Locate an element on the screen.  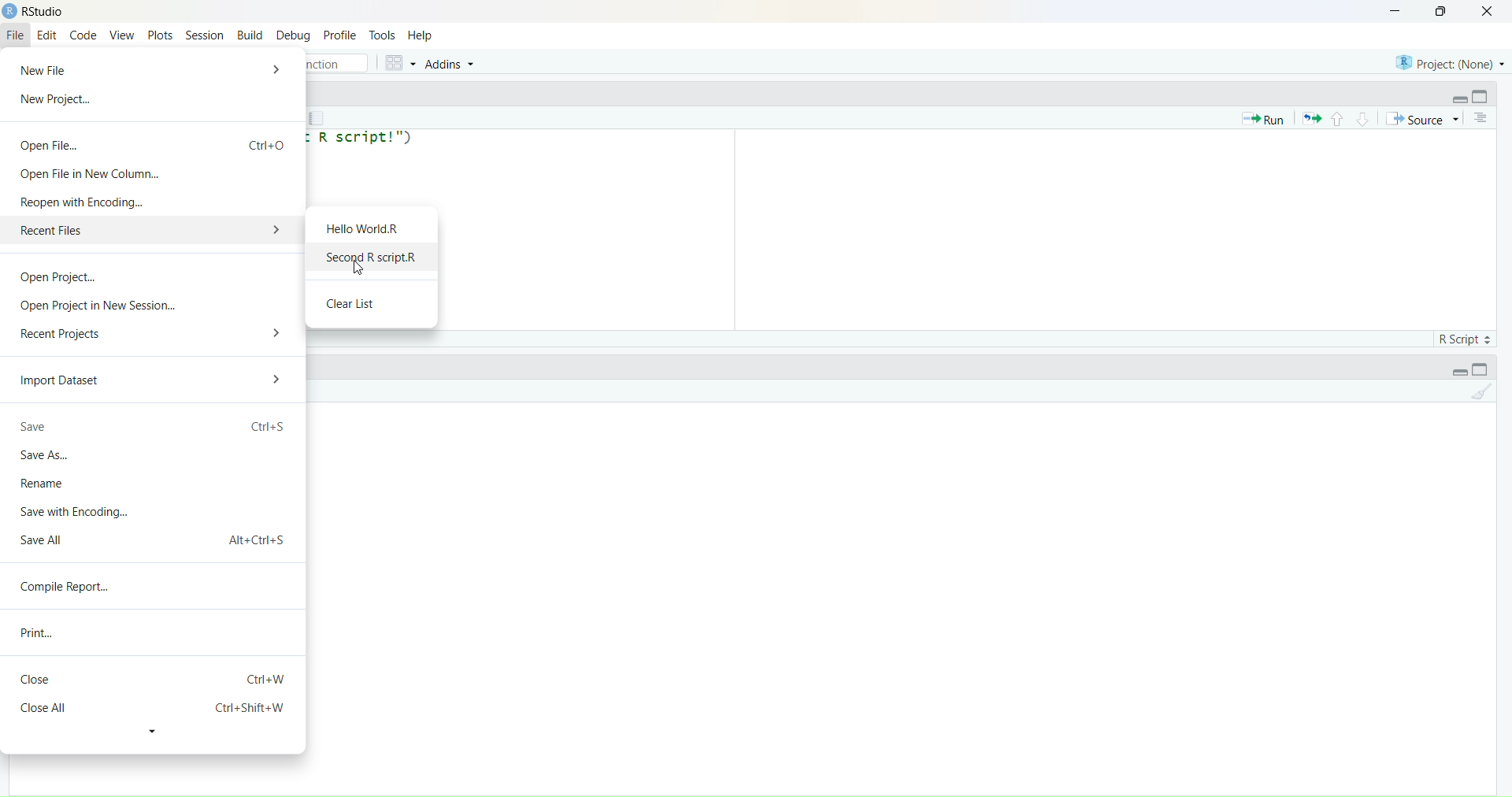
Debug is located at coordinates (294, 37).